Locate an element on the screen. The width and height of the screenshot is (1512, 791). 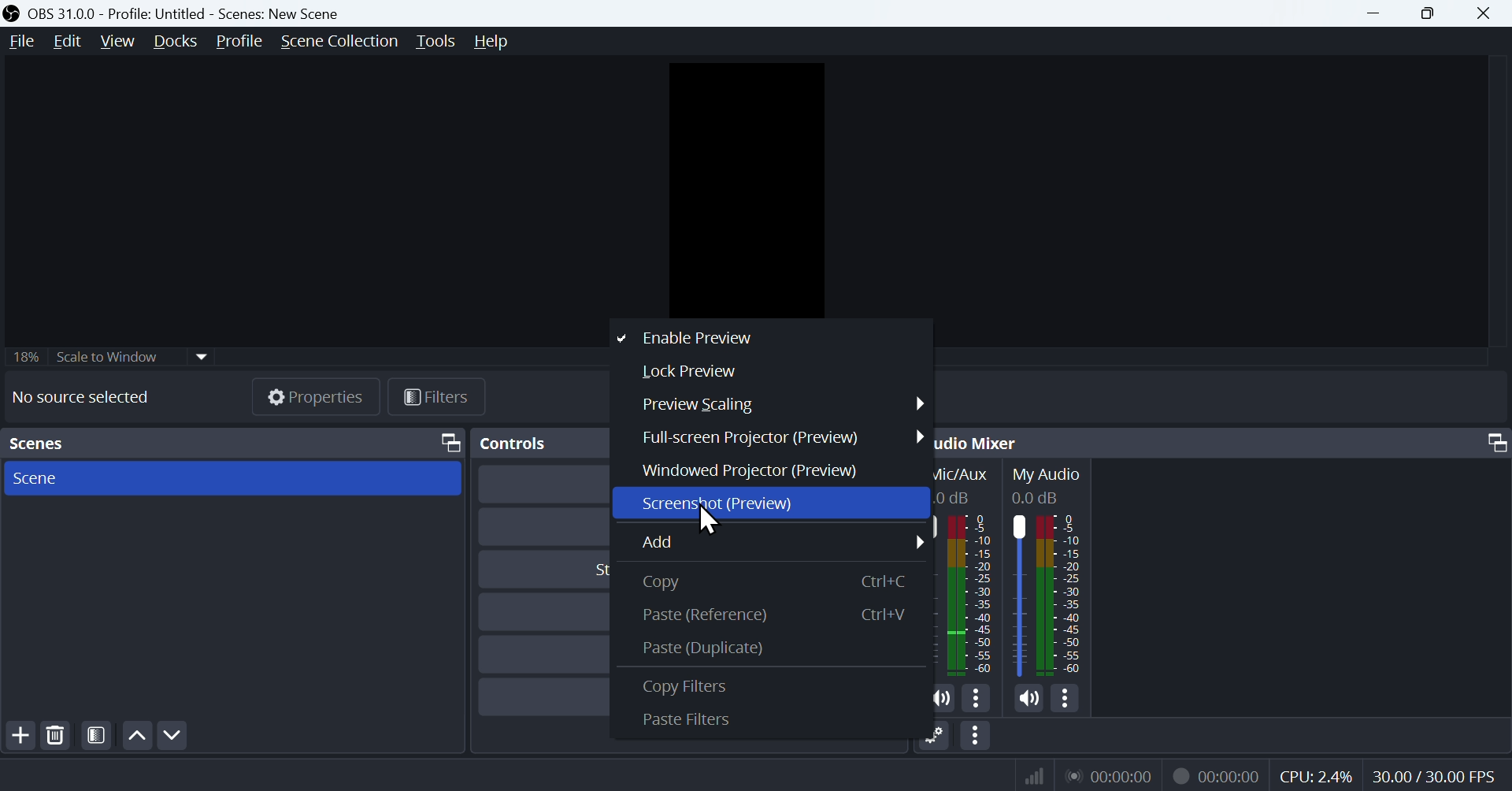
Help is located at coordinates (494, 43).